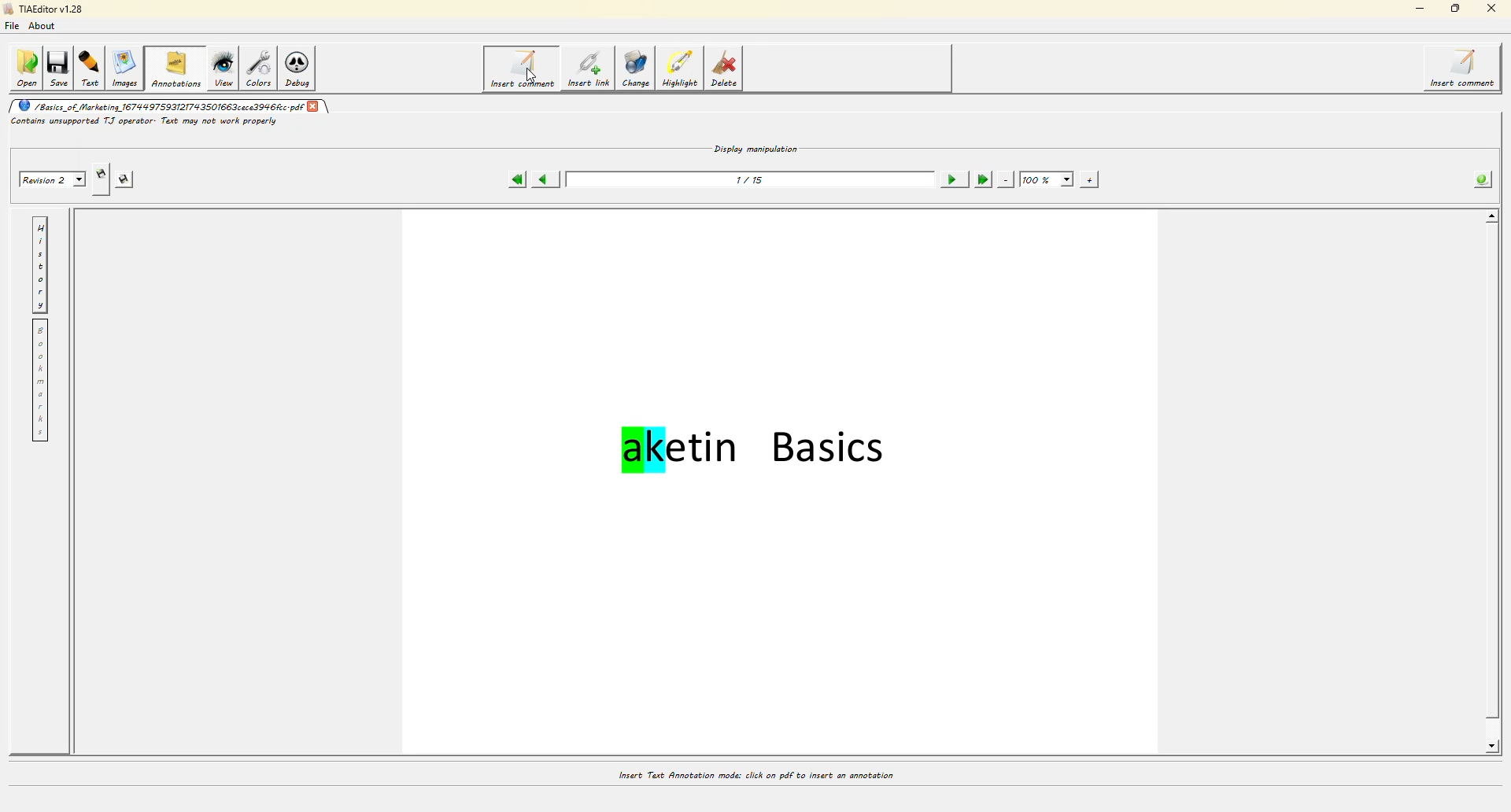 This screenshot has height=812, width=1511. Describe the element at coordinates (40, 264) in the screenshot. I see `history` at that location.